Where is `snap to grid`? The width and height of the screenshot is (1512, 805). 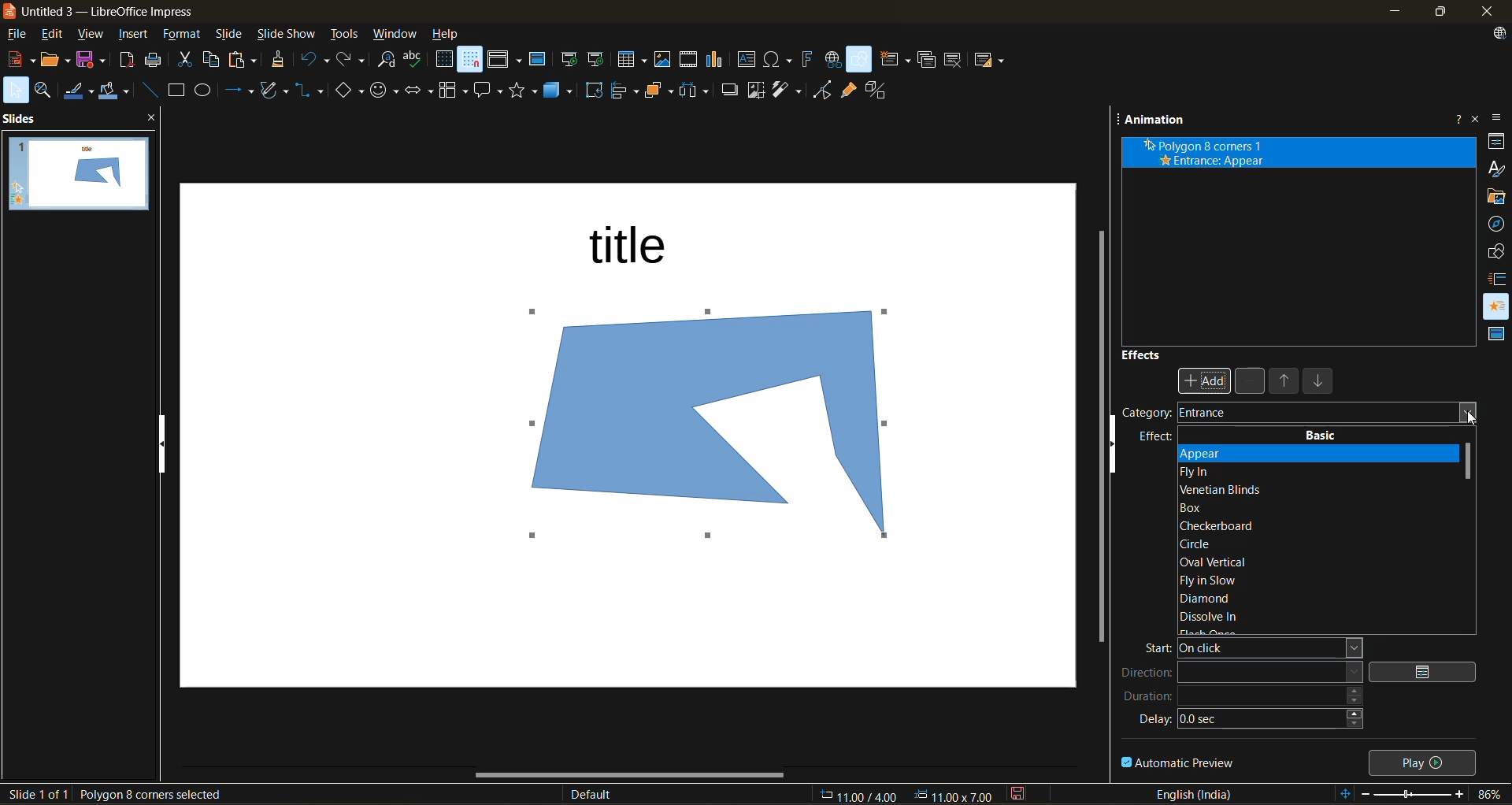 snap to grid is located at coordinates (469, 61).